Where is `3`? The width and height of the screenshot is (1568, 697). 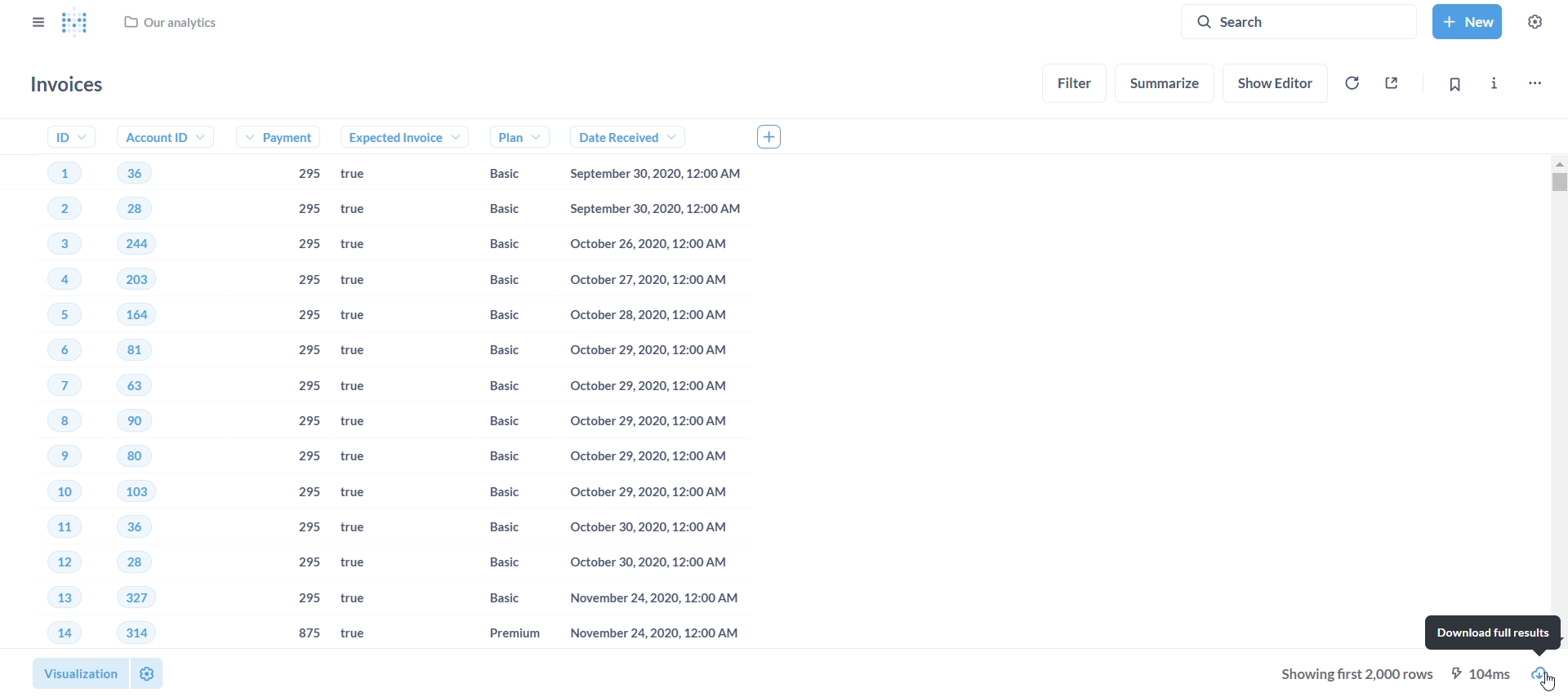
3 is located at coordinates (52, 246).